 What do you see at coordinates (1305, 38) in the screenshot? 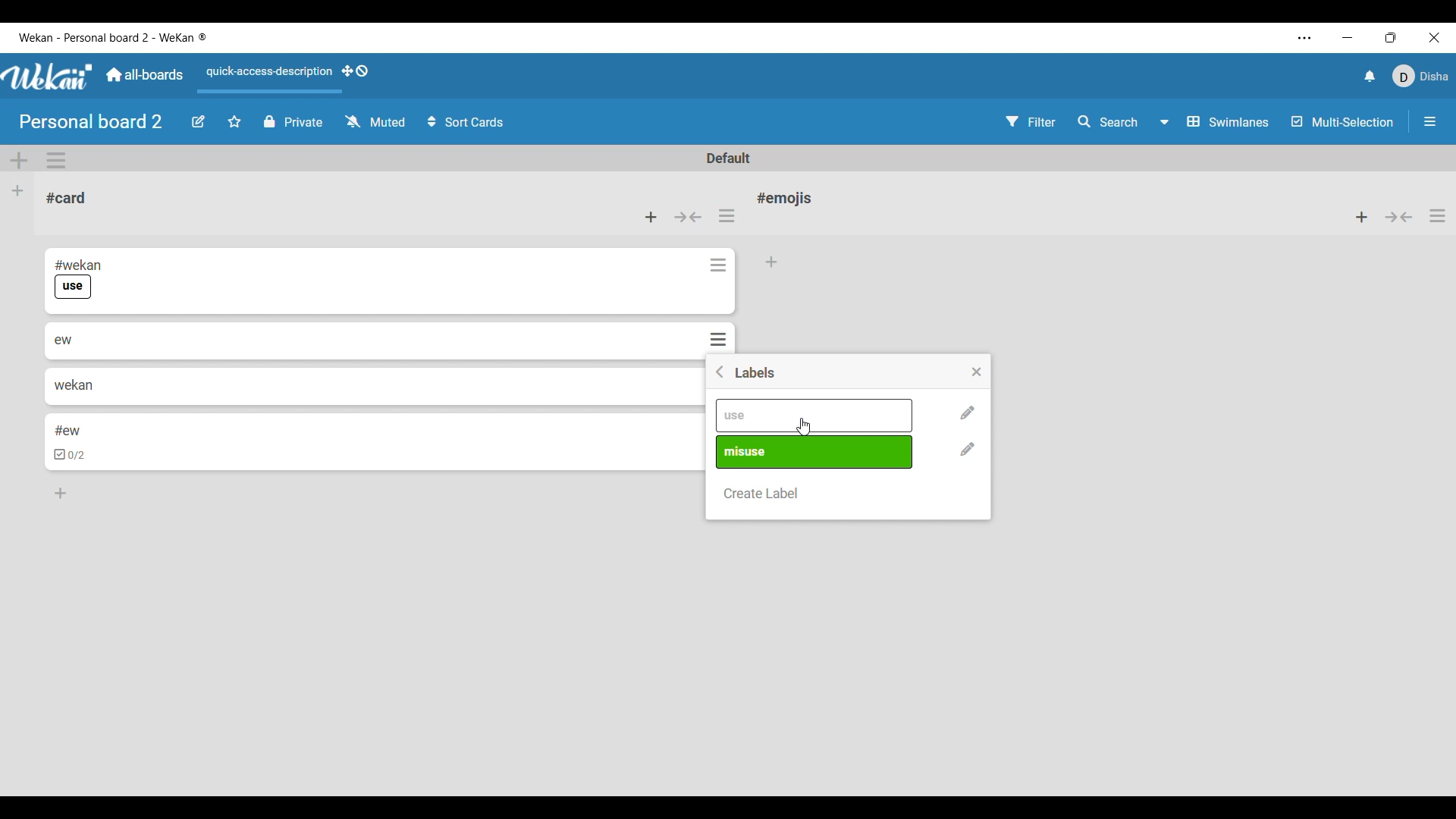
I see `Settings and more` at bounding box center [1305, 38].